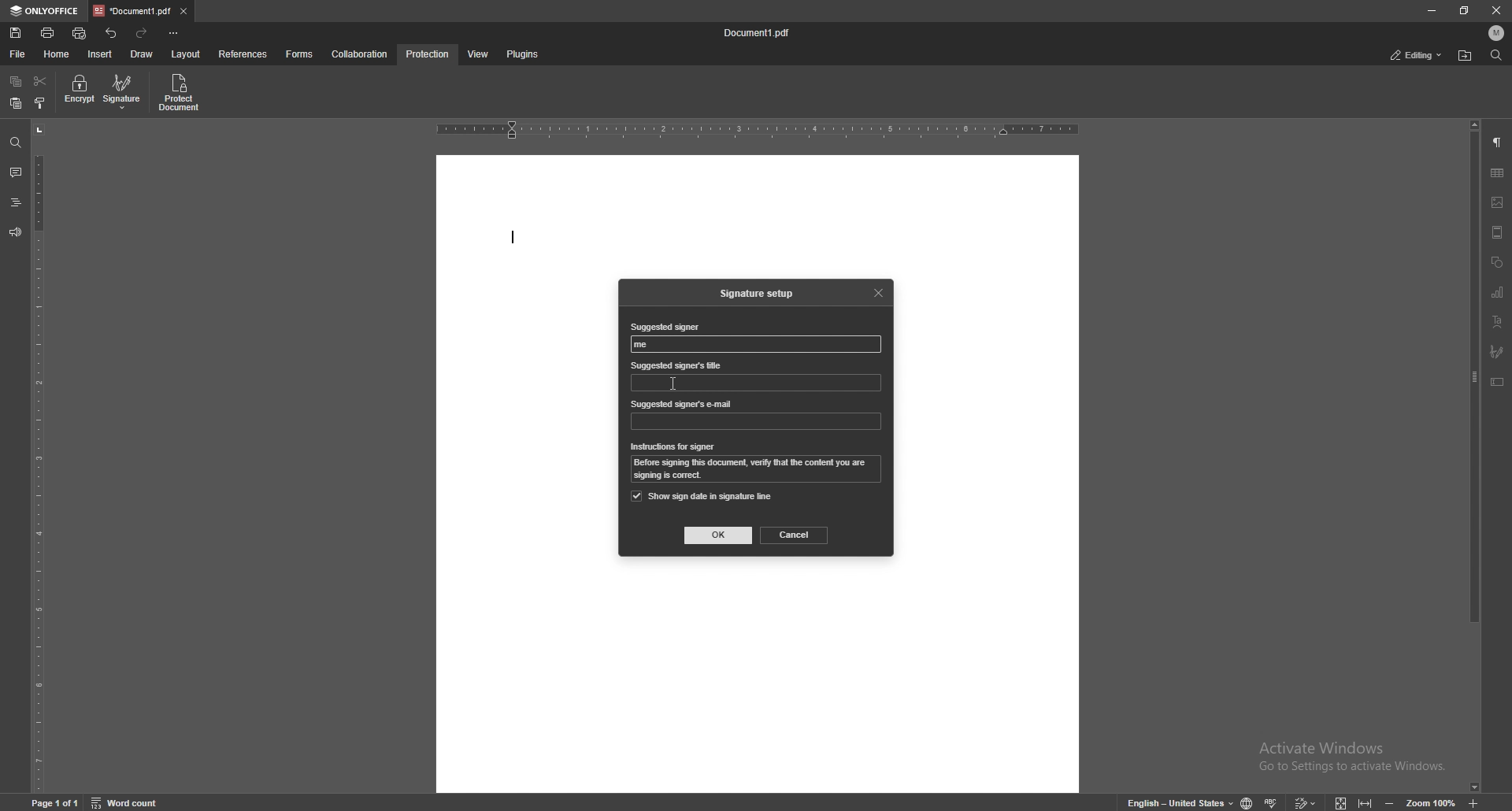 The height and width of the screenshot is (811, 1512). Describe the element at coordinates (1340, 751) in the screenshot. I see `Activate windows` at that location.